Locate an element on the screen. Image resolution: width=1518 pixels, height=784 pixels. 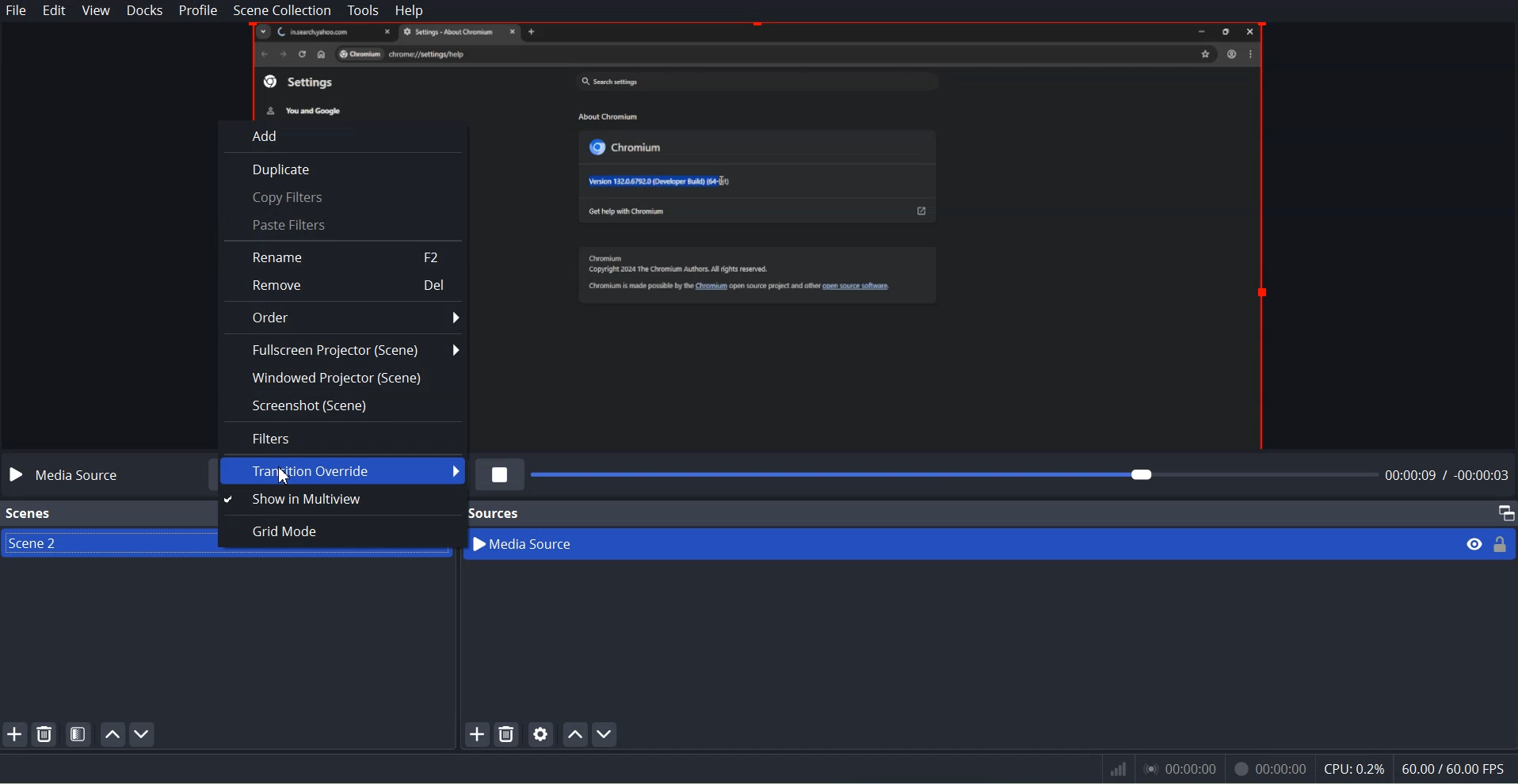
Copy Filter is located at coordinates (342, 197).